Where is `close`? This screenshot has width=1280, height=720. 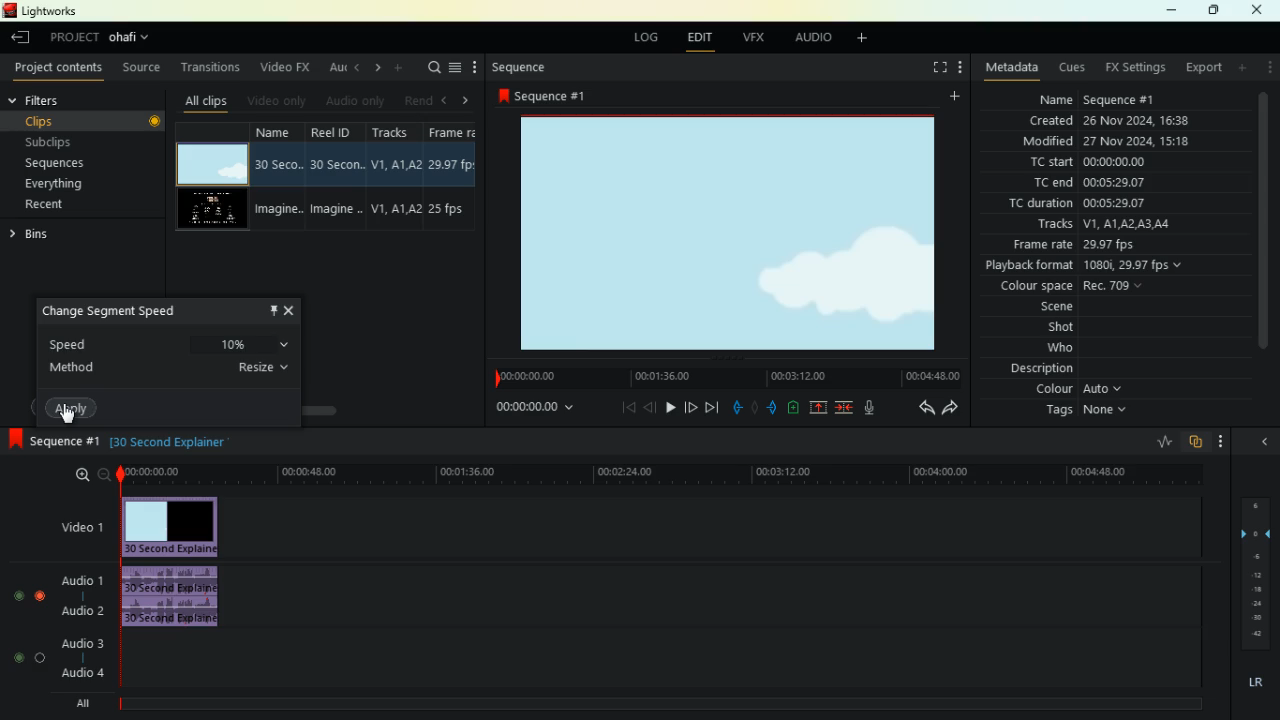 close is located at coordinates (1261, 9).